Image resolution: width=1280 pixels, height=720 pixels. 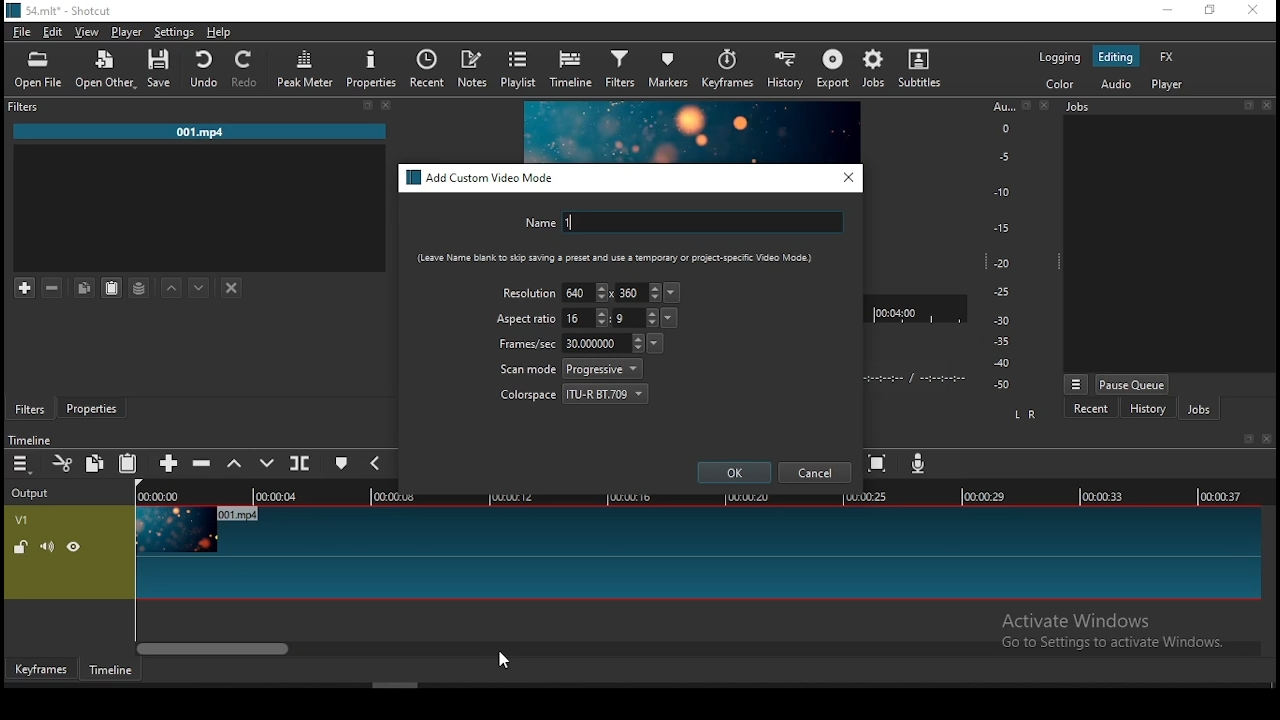 What do you see at coordinates (53, 33) in the screenshot?
I see `edit` at bounding box center [53, 33].